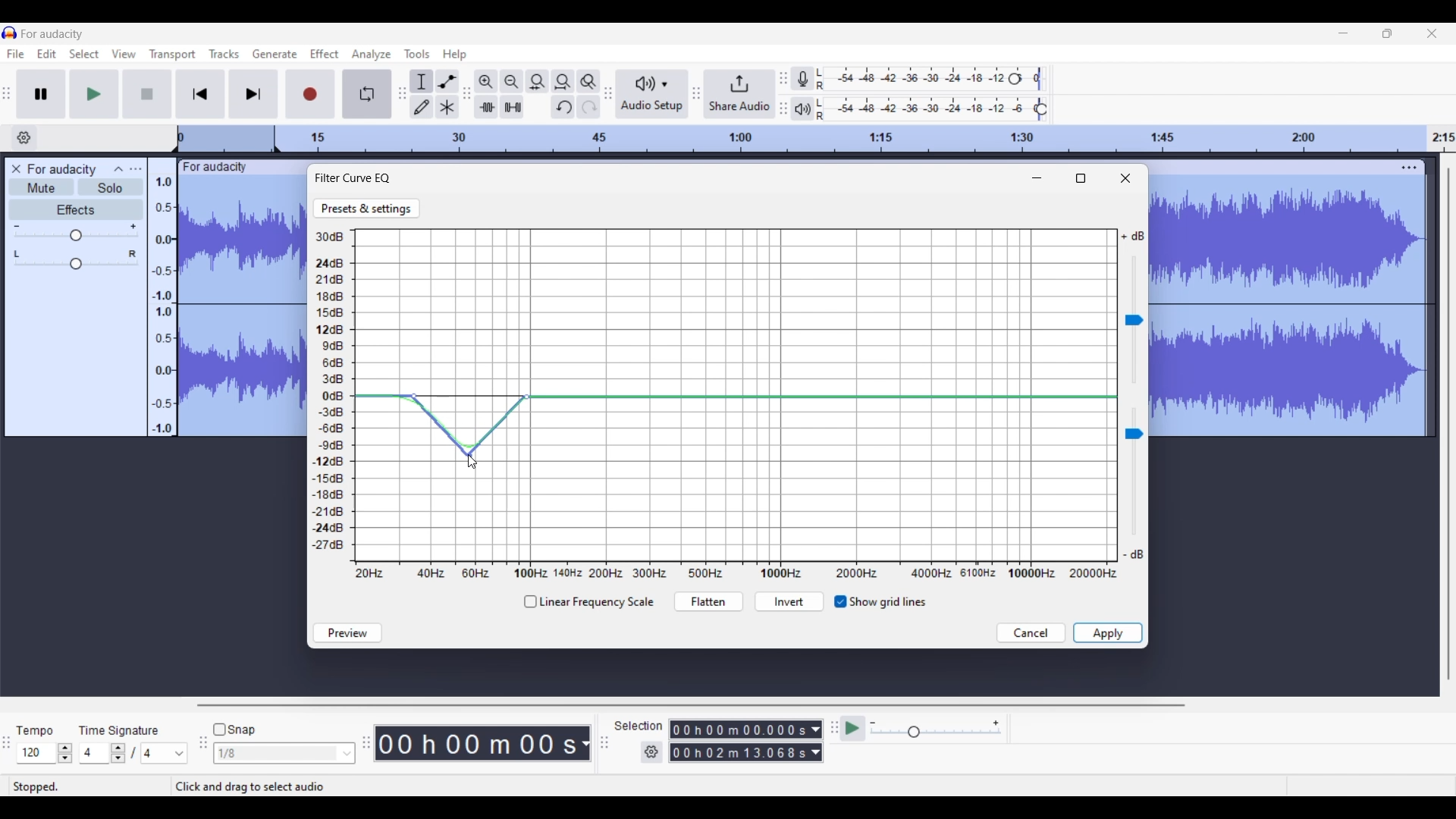 The image size is (1456, 819). Describe the element at coordinates (18, 169) in the screenshot. I see `Delete track` at that location.